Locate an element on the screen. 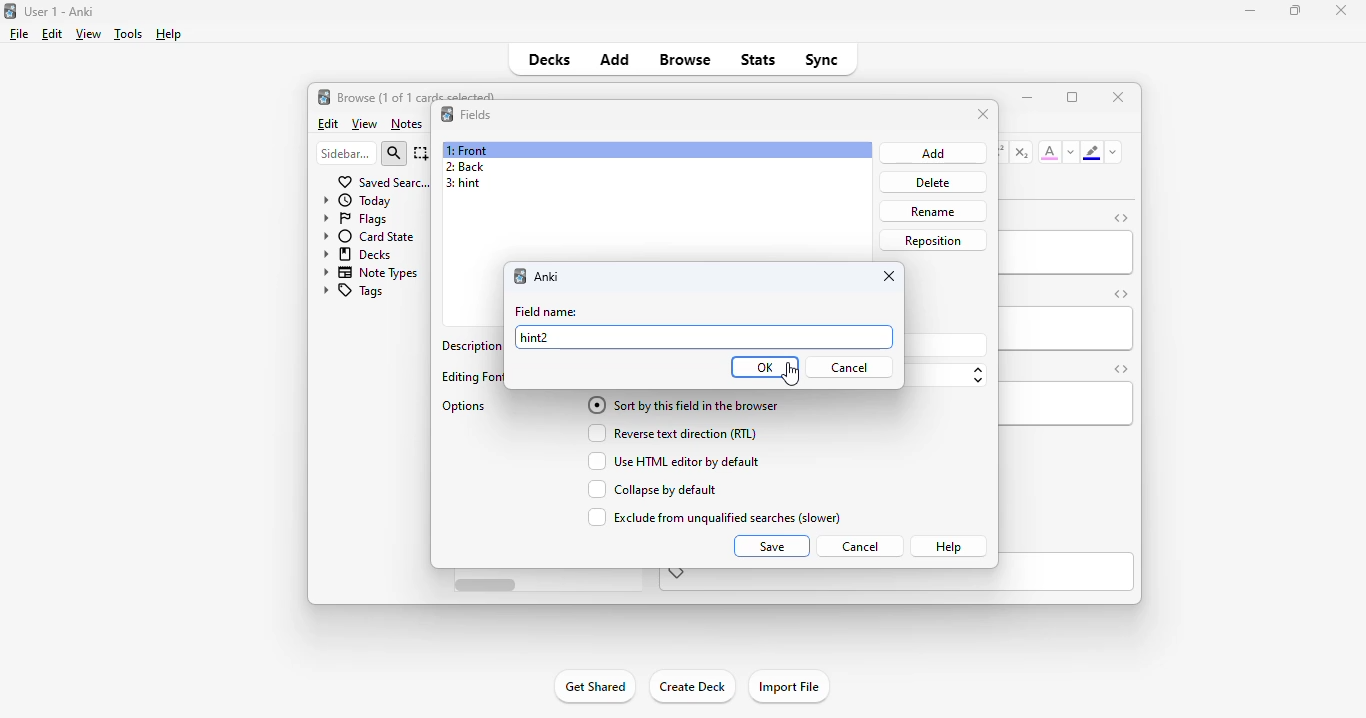 This screenshot has width=1366, height=718. add is located at coordinates (935, 153).